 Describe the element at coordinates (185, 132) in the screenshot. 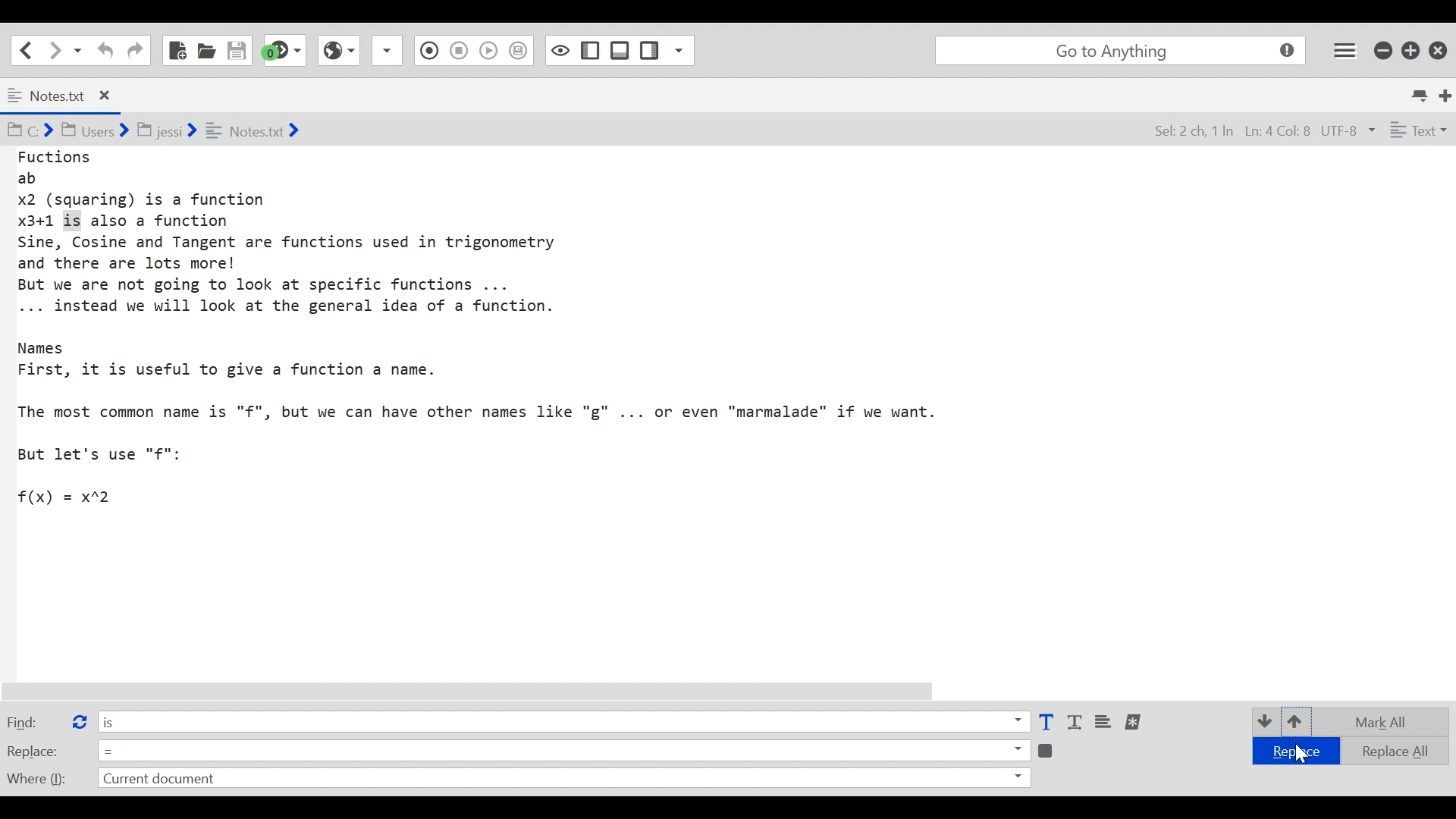

I see `Cd BY Users ¥ BJ jessi ¥ = Notesixt &` at that location.